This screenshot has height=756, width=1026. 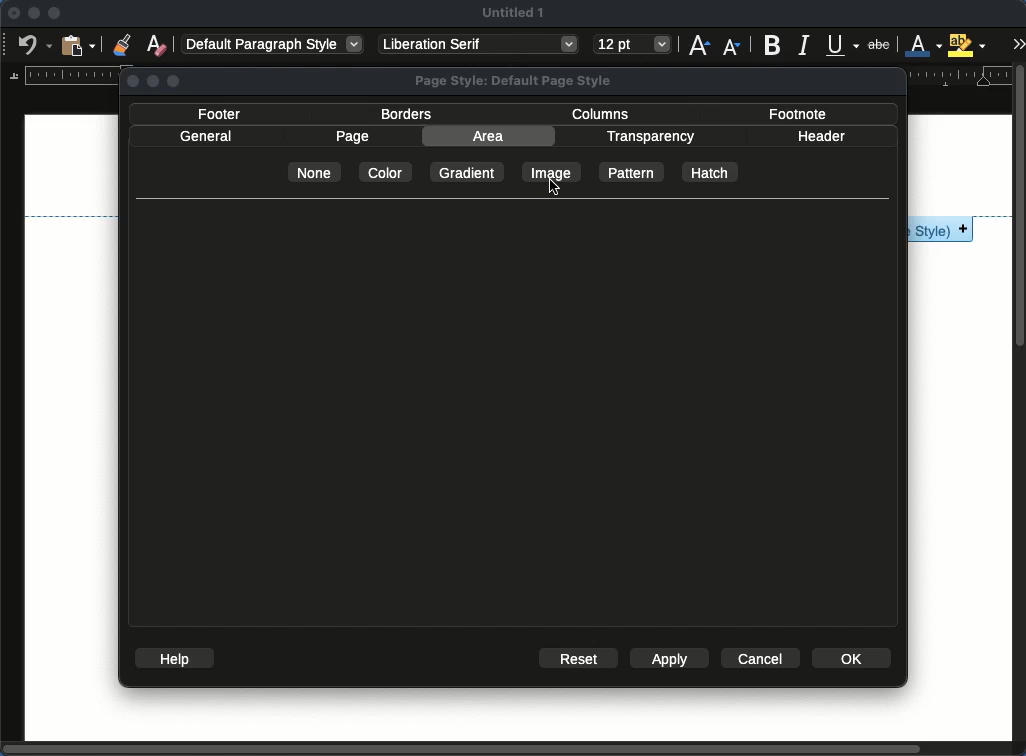 I want to click on image, so click(x=555, y=172).